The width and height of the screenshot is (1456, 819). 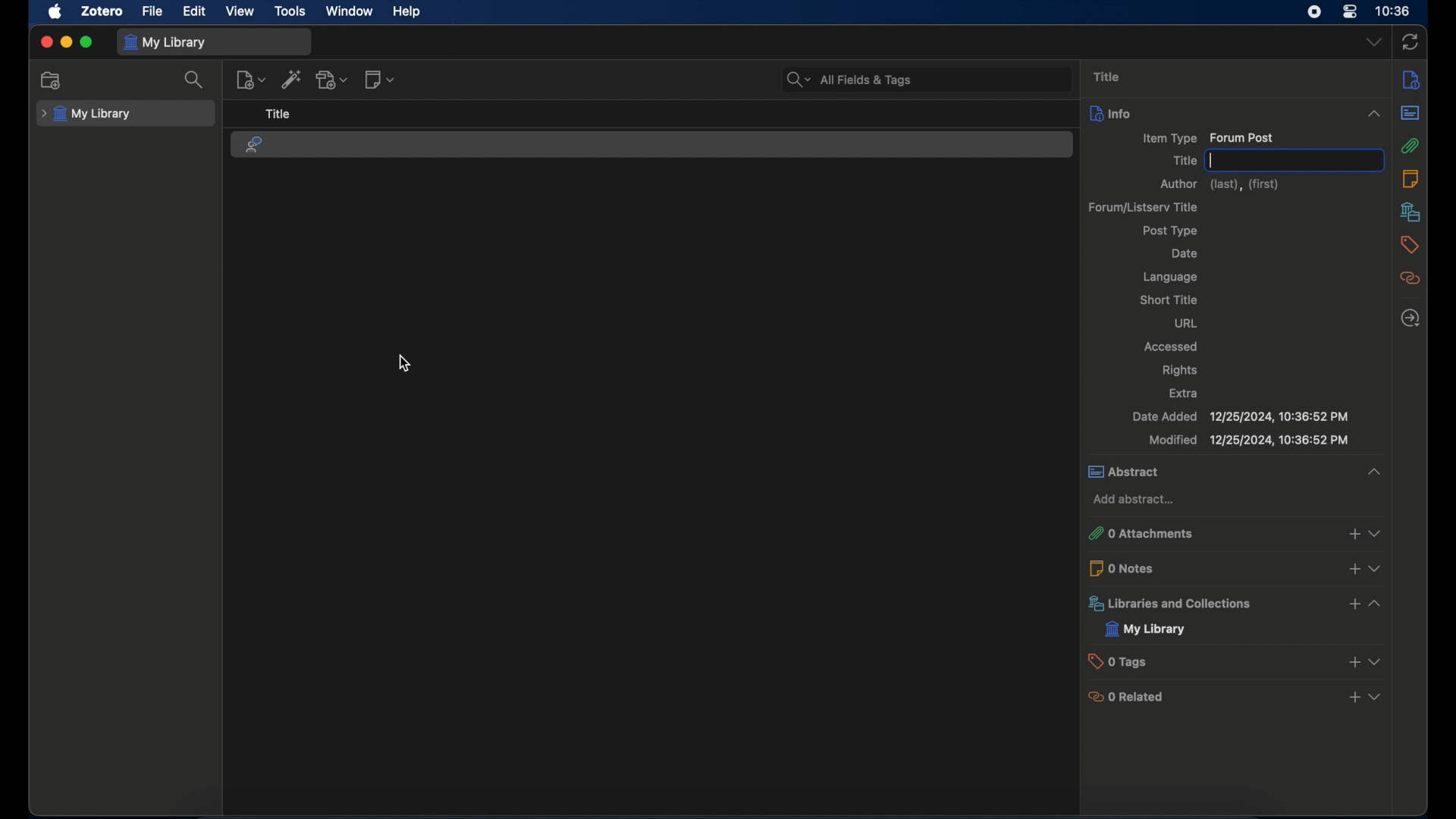 What do you see at coordinates (86, 42) in the screenshot?
I see `maximize` at bounding box center [86, 42].